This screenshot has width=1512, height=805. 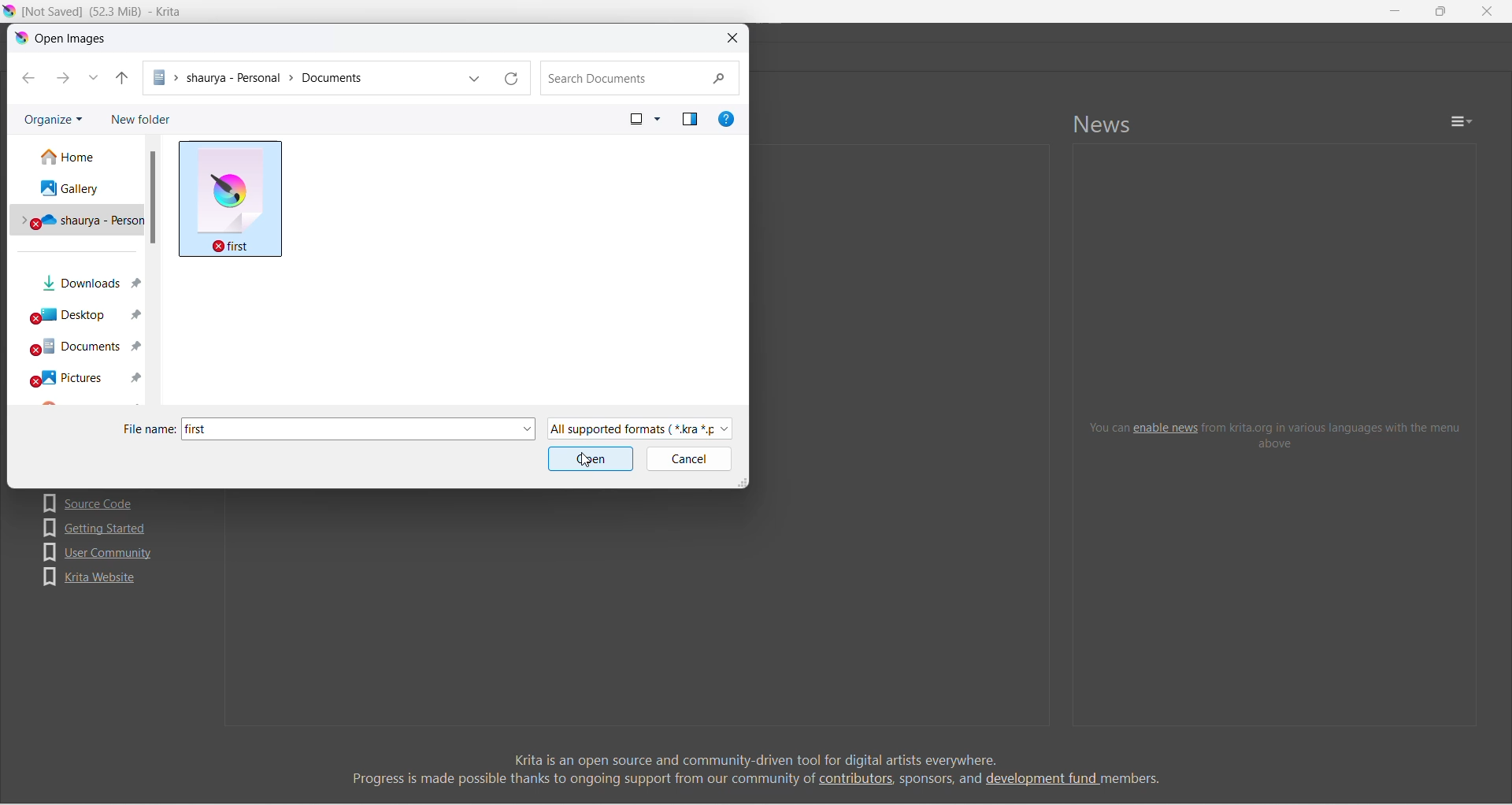 What do you see at coordinates (81, 347) in the screenshot?
I see `documents` at bounding box center [81, 347].